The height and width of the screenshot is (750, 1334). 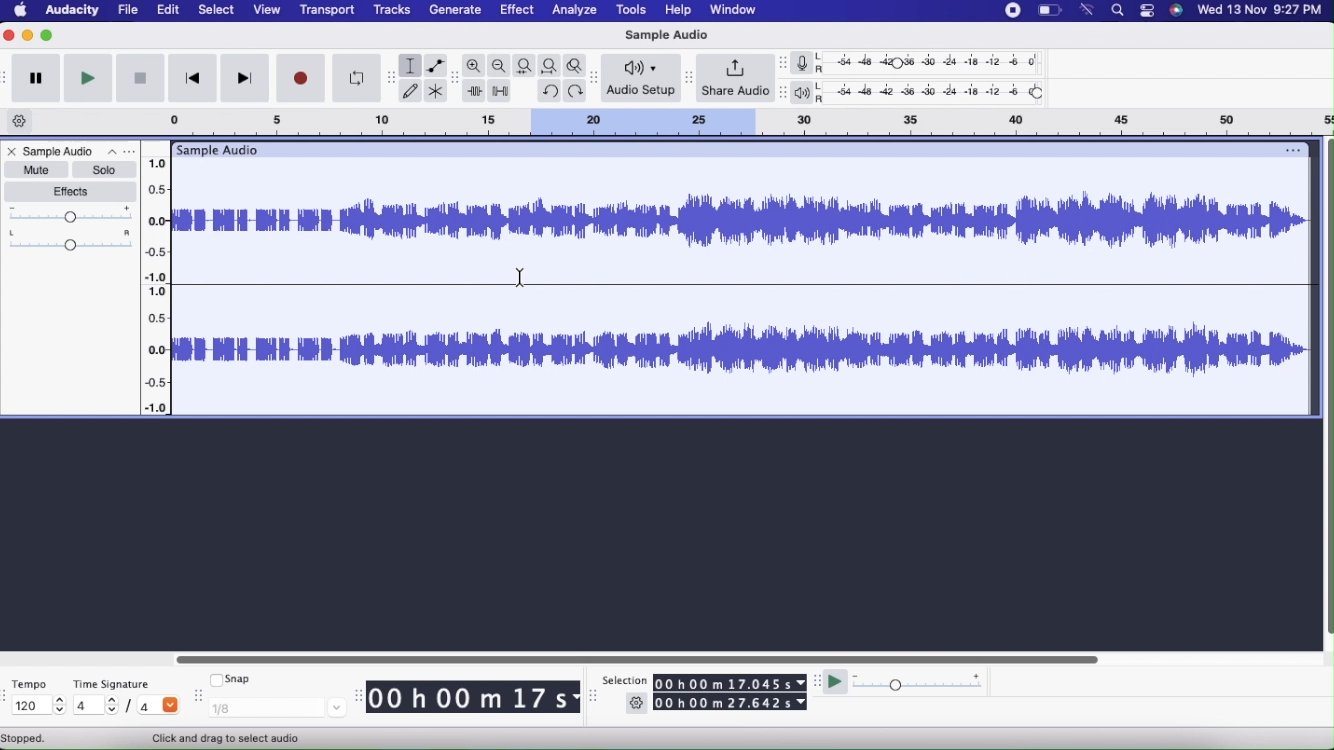 I want to click on Silence audio selection, so click(x=502, y=92).